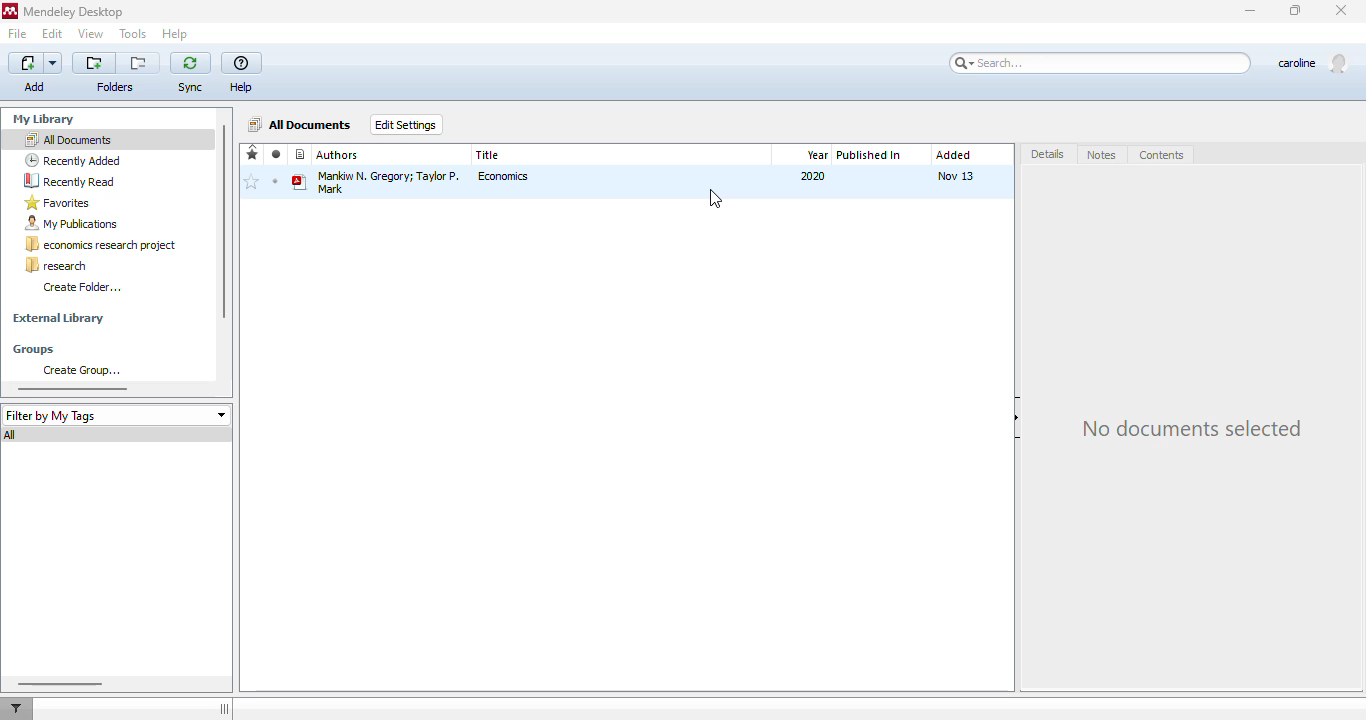 Image resolution: width=1366 pixels, height=720 pixels. What do you see at coordinates (817, 155) in the screenshot?
I see `year` at bounding box center [817, 155].